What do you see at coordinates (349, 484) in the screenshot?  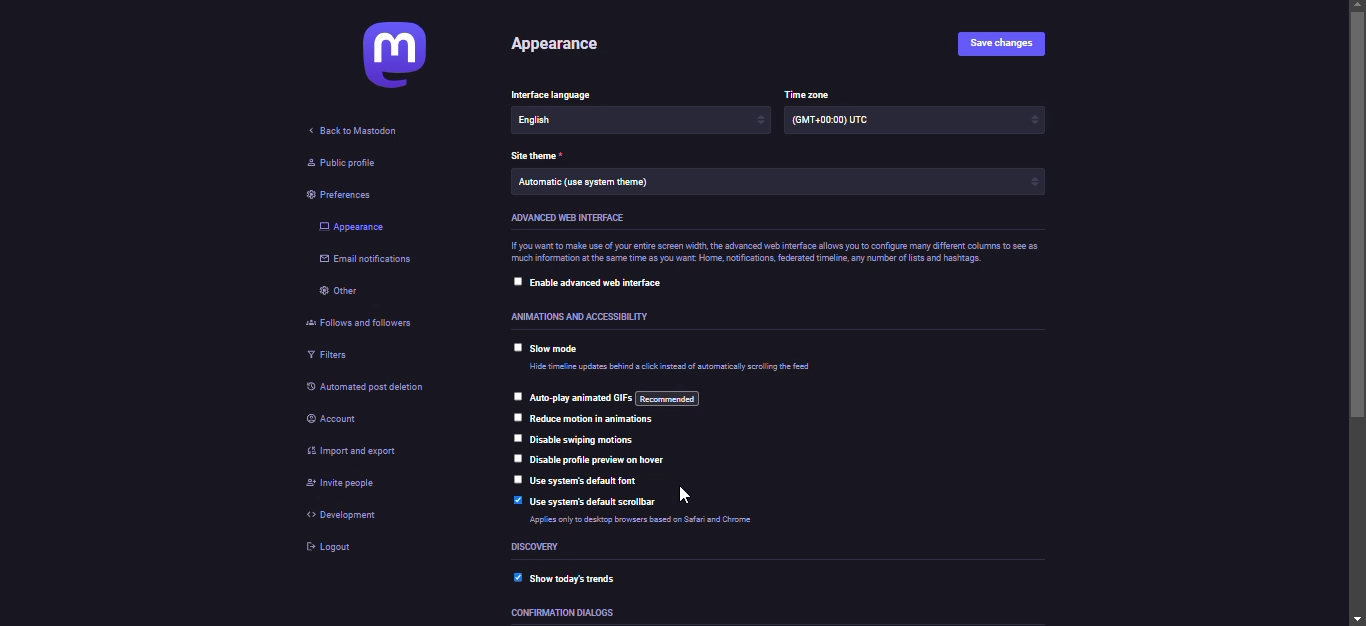 I see `invite people` at bounding box center [349, 484].